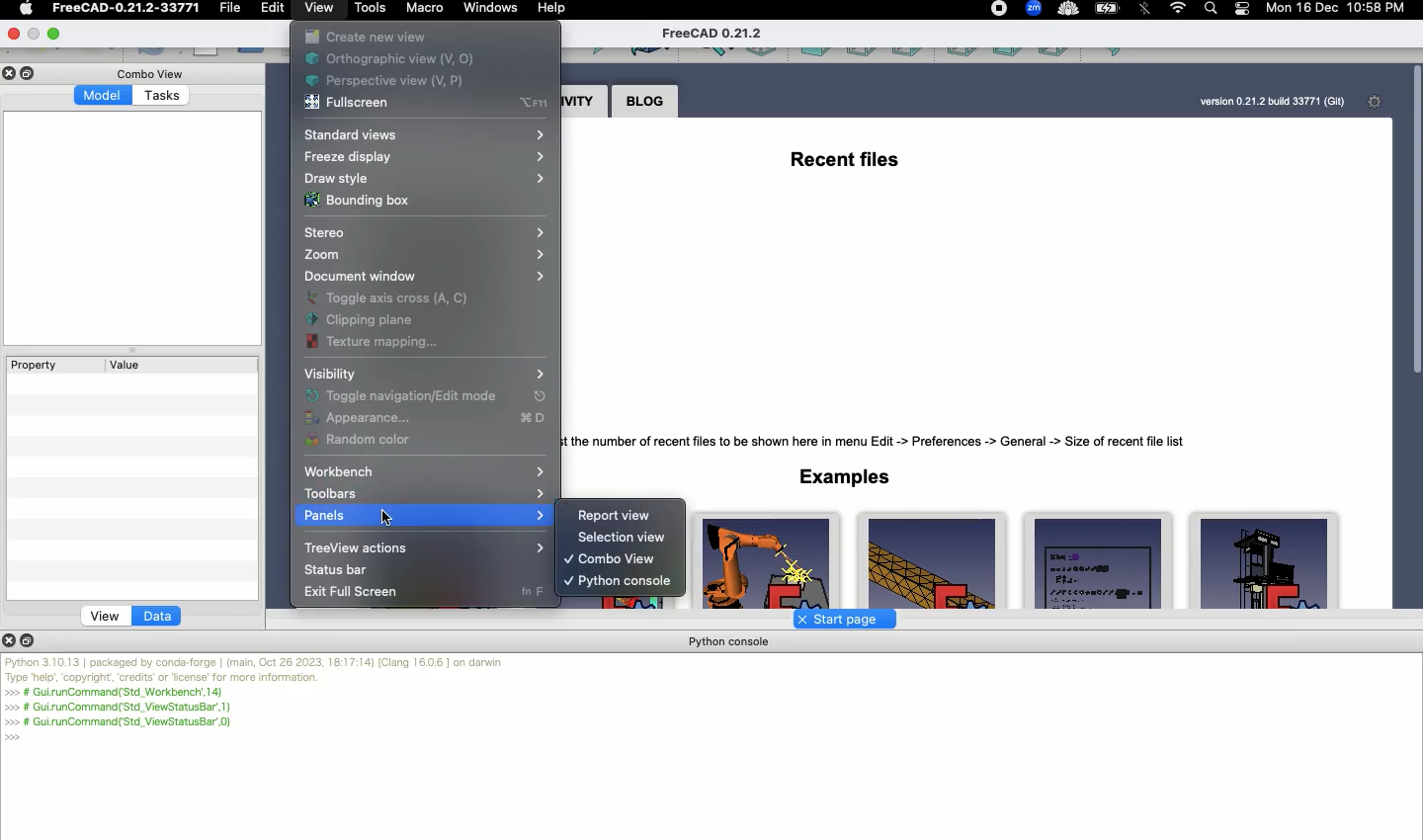  I want to click on Draft_test_objects.FCStd FreeCAD Developers 117Kb, so click(1094, 561).